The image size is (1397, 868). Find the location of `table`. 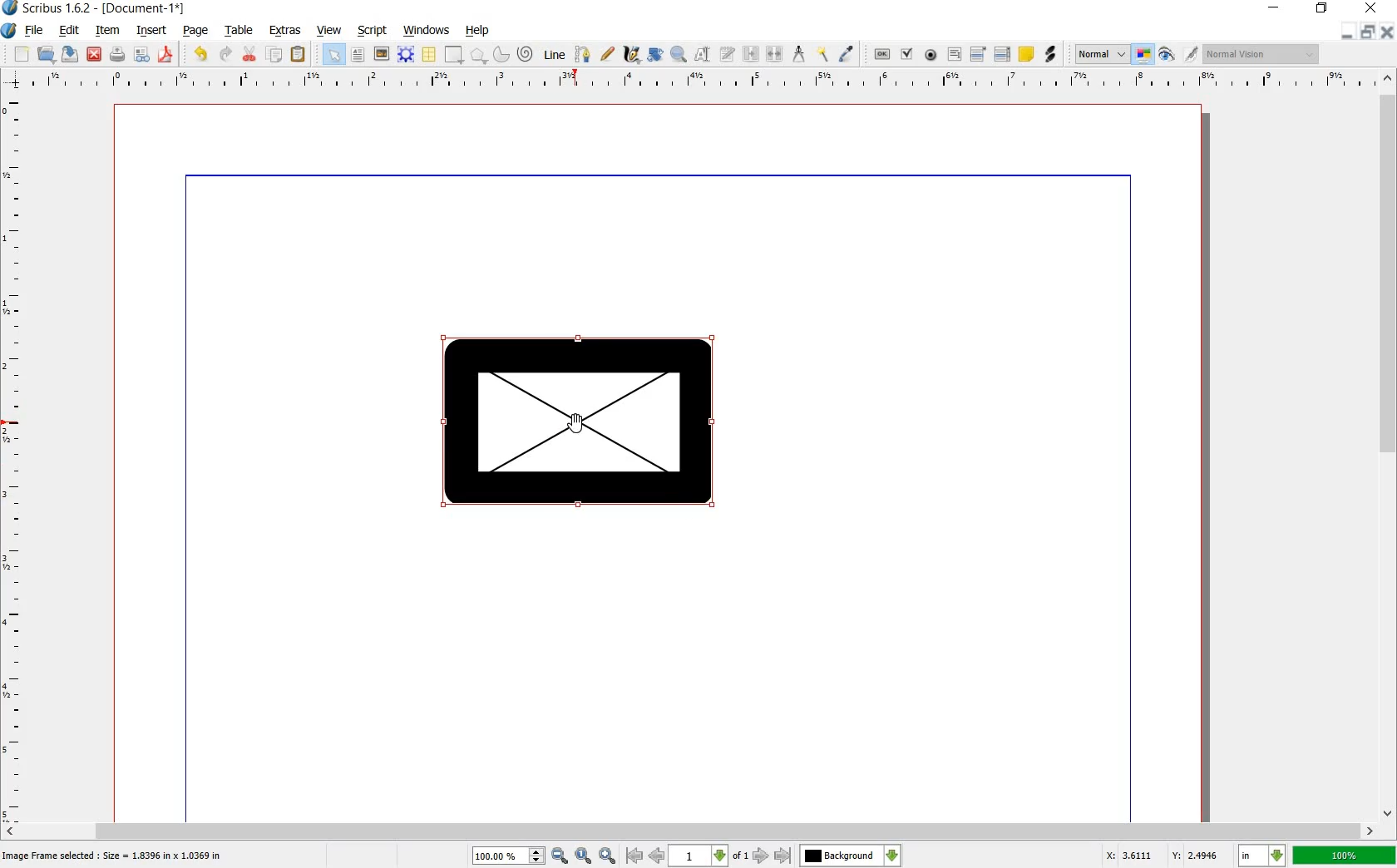

table is located at coordinates (240, 31).